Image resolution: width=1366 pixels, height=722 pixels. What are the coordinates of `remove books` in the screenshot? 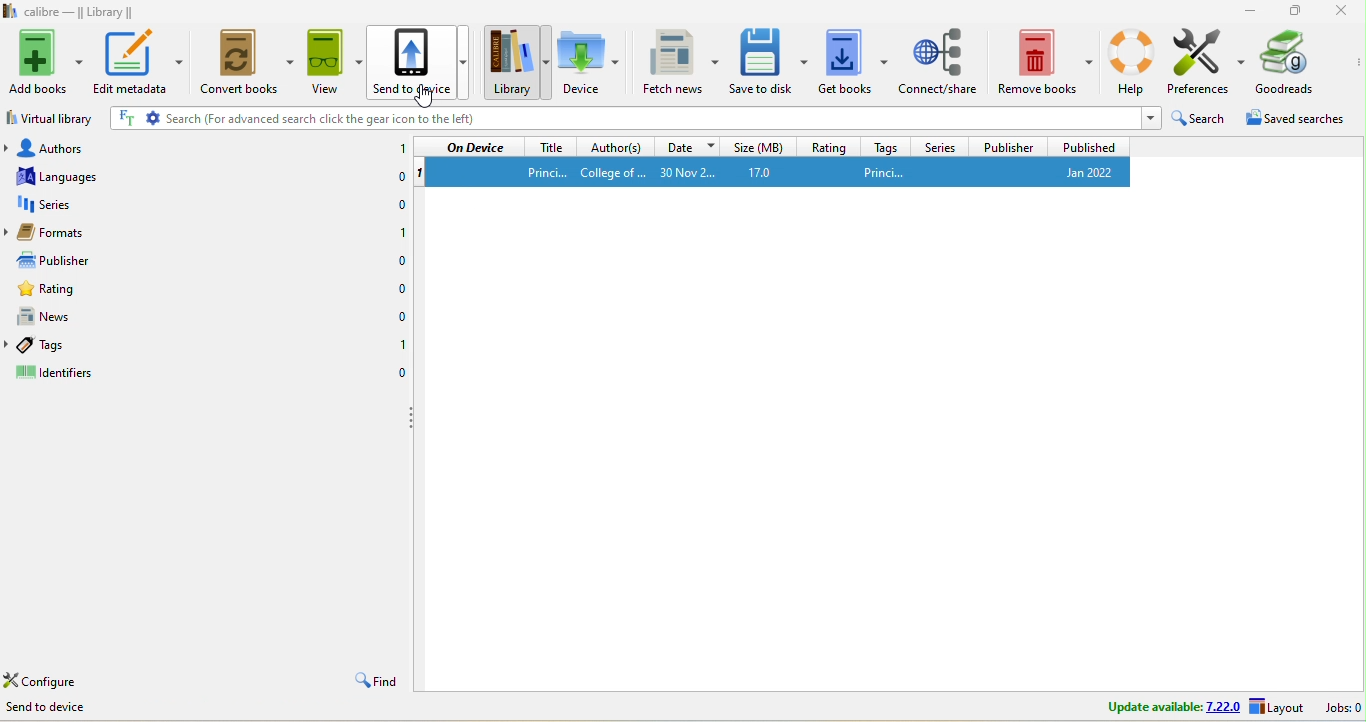 It's located at (1045, 63).